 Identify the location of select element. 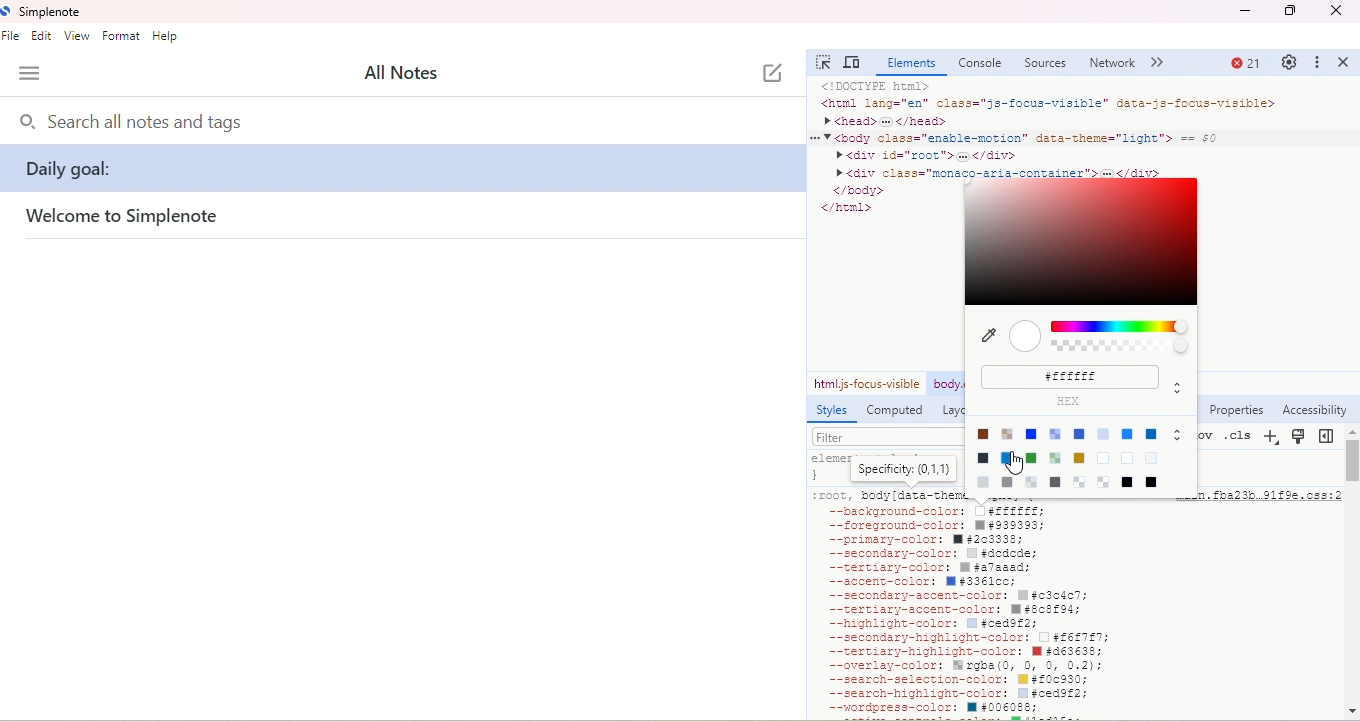
(824, 62).